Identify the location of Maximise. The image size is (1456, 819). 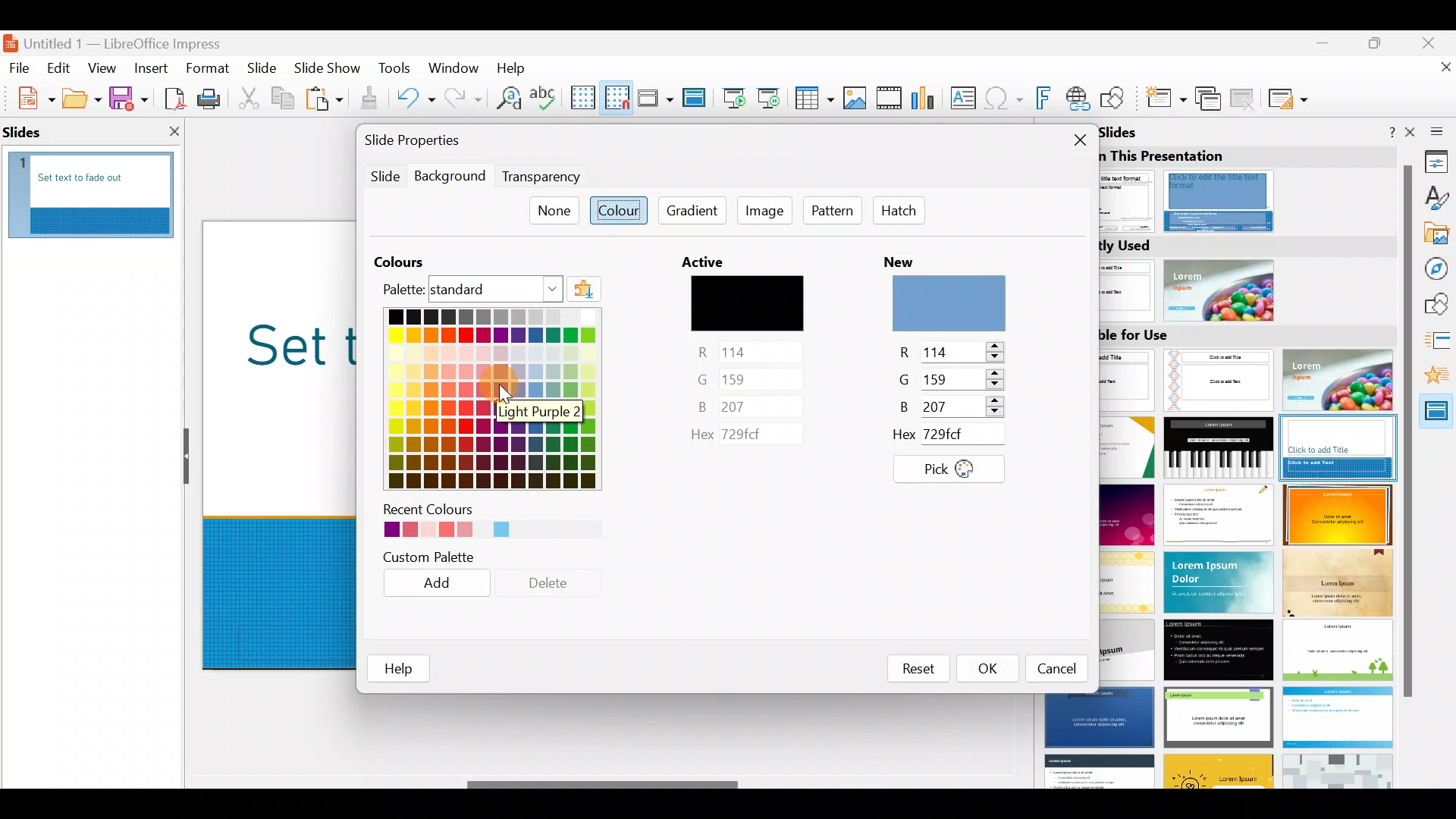
(1379, 46).